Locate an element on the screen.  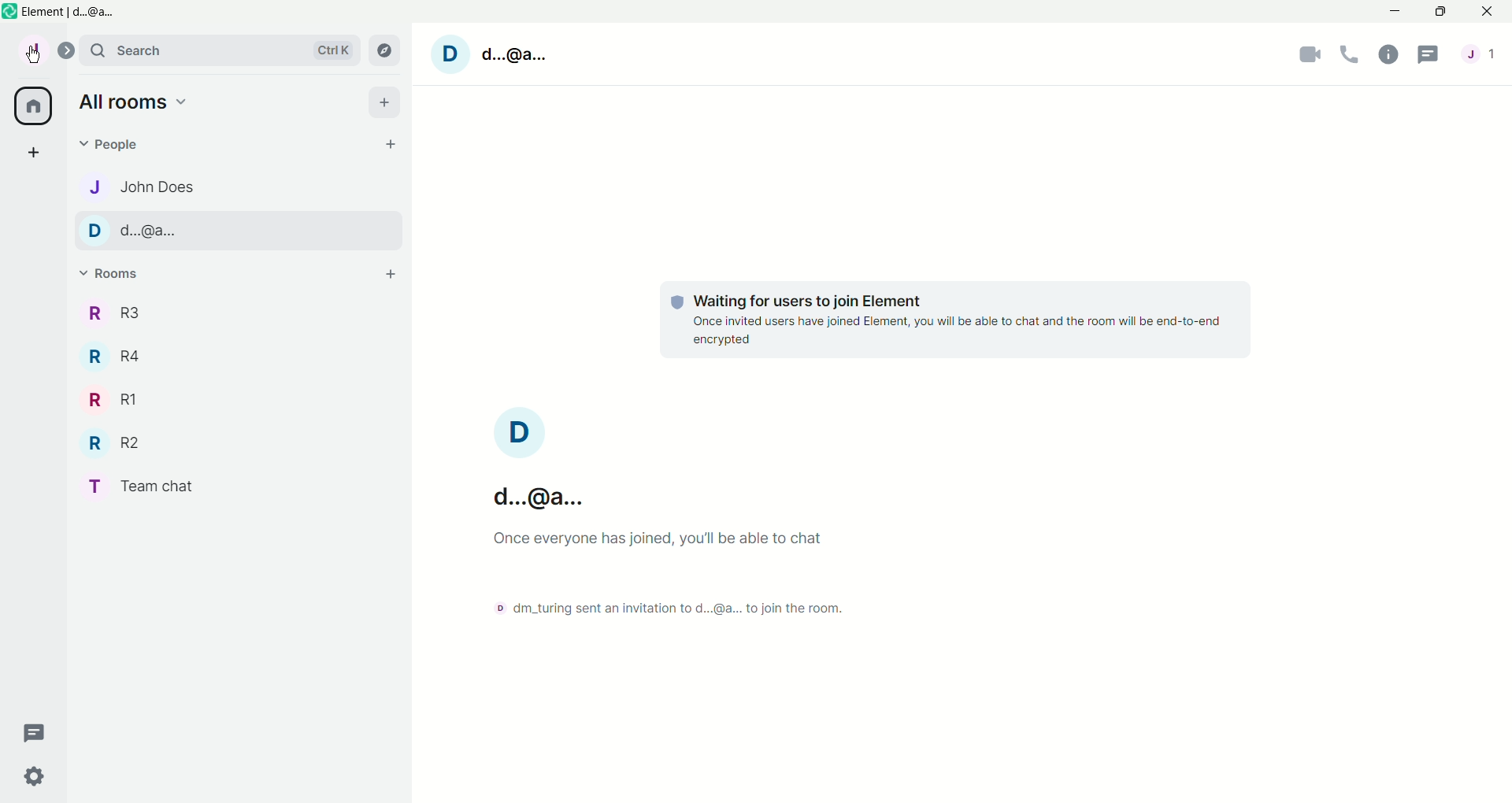
Waiting for users to join Element is located at coordinates (808, 301).